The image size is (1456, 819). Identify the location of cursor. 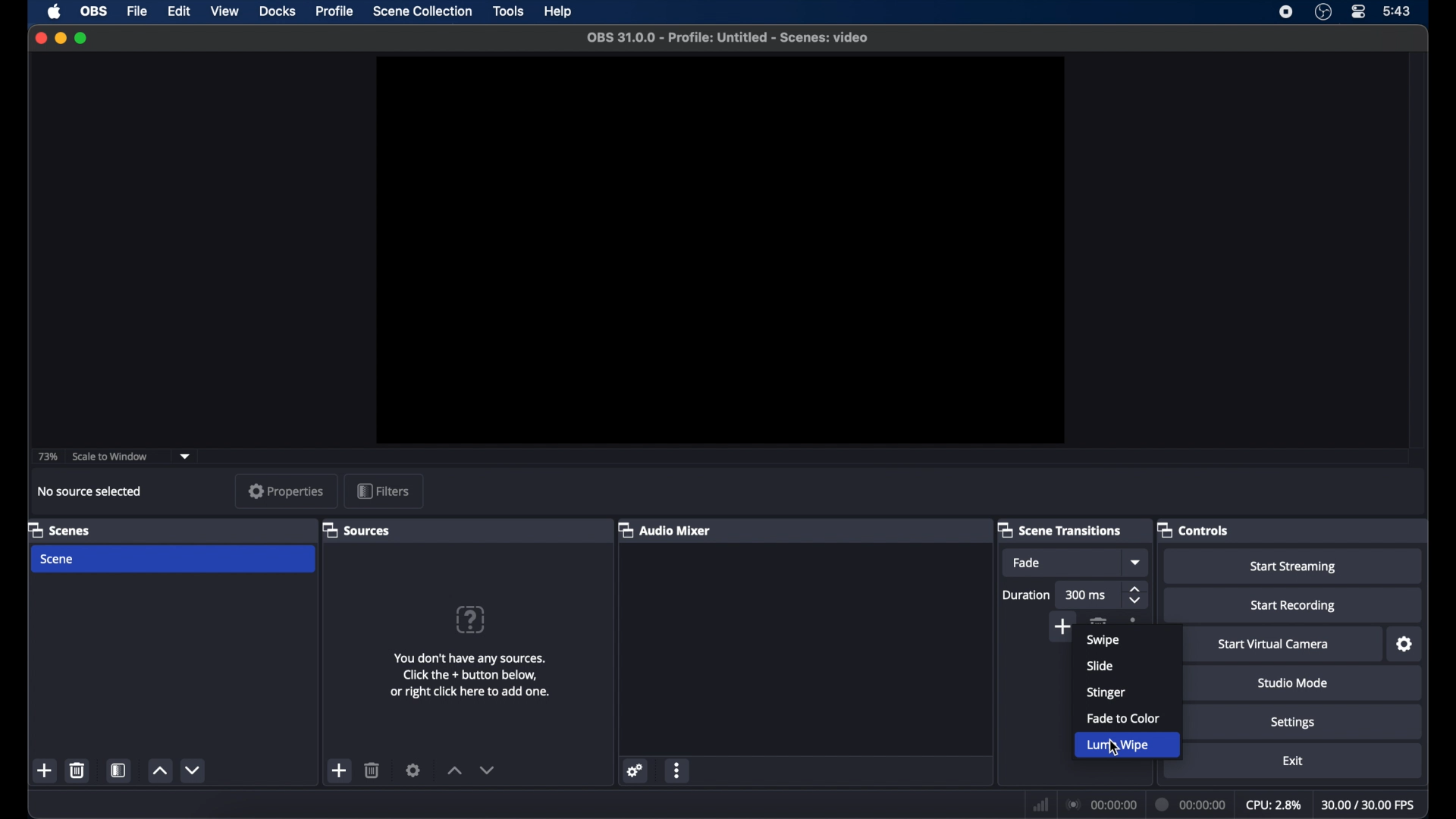
(1112, 746).